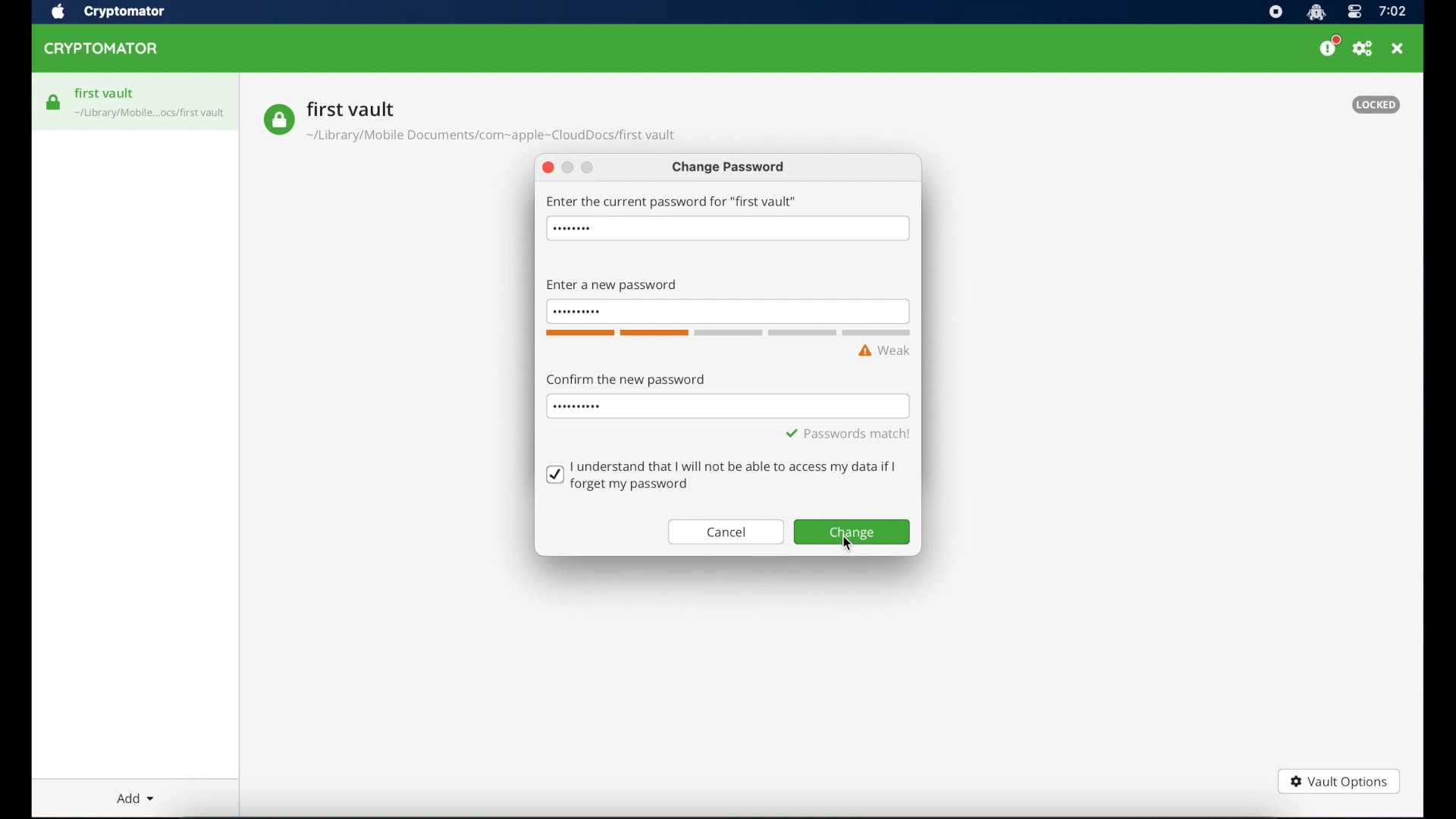 This screenshot has height=819, width=1456. What do you see at coordinates (671, 201) in the screenshot?
I see `enter the current password for first vault` at bounding box center [671, 201].